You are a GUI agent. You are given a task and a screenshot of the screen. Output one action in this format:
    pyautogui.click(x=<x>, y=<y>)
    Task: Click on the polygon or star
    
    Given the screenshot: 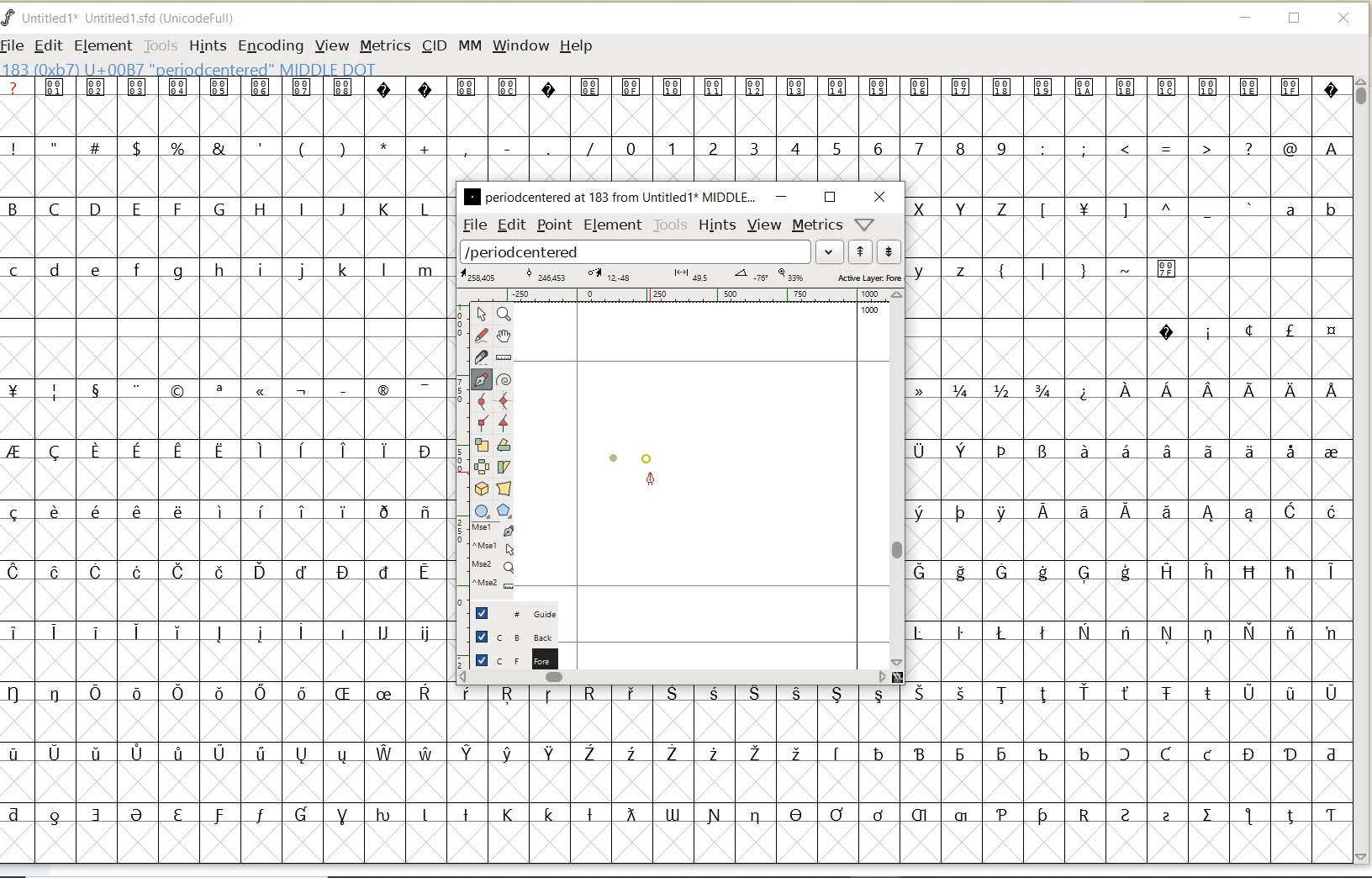 What is the action you would take?
    pyautogui.click(x=506, y=511)
    